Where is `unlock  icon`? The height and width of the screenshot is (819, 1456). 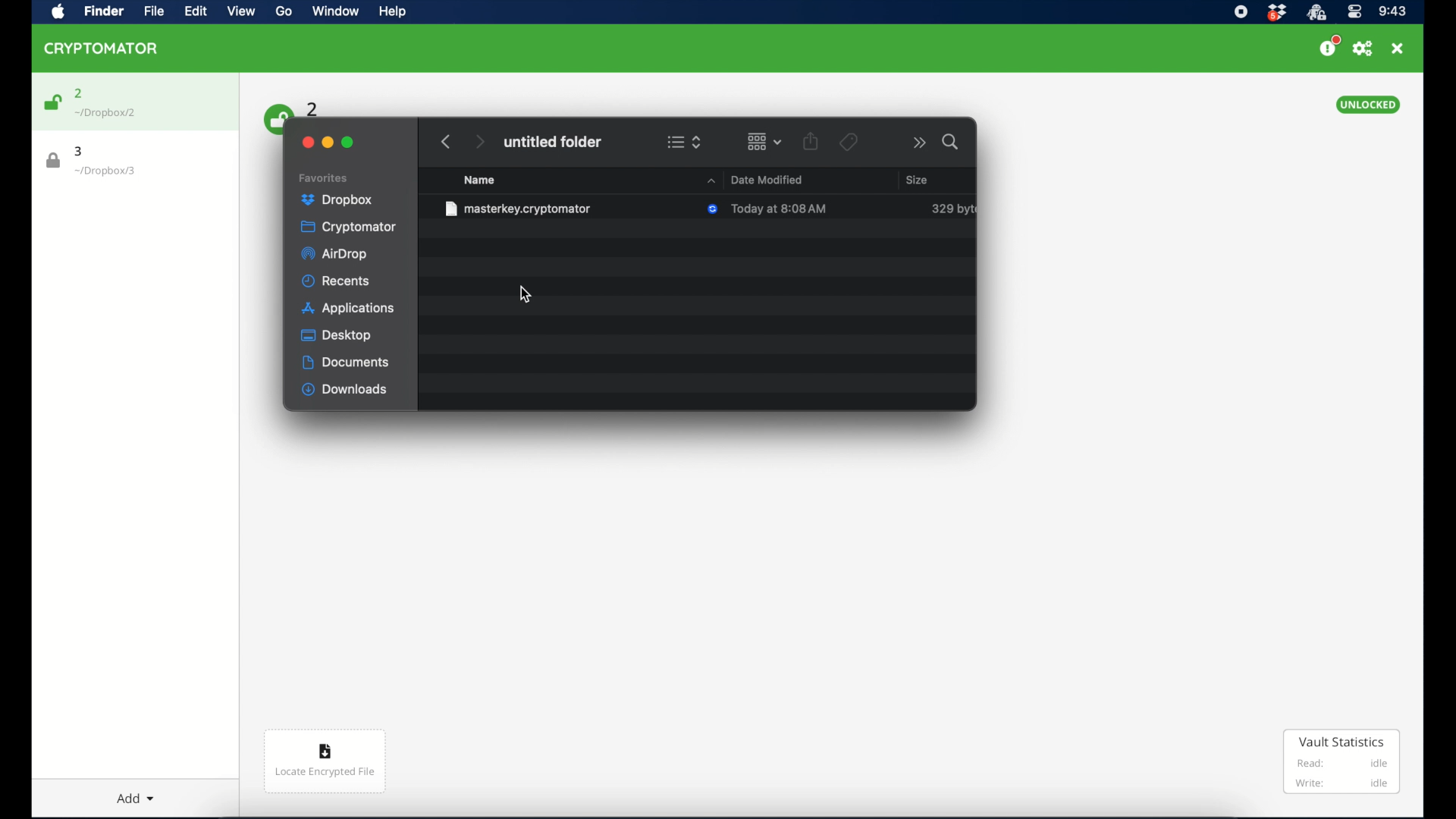
unlock  icon is located at coordinates (52, 102).